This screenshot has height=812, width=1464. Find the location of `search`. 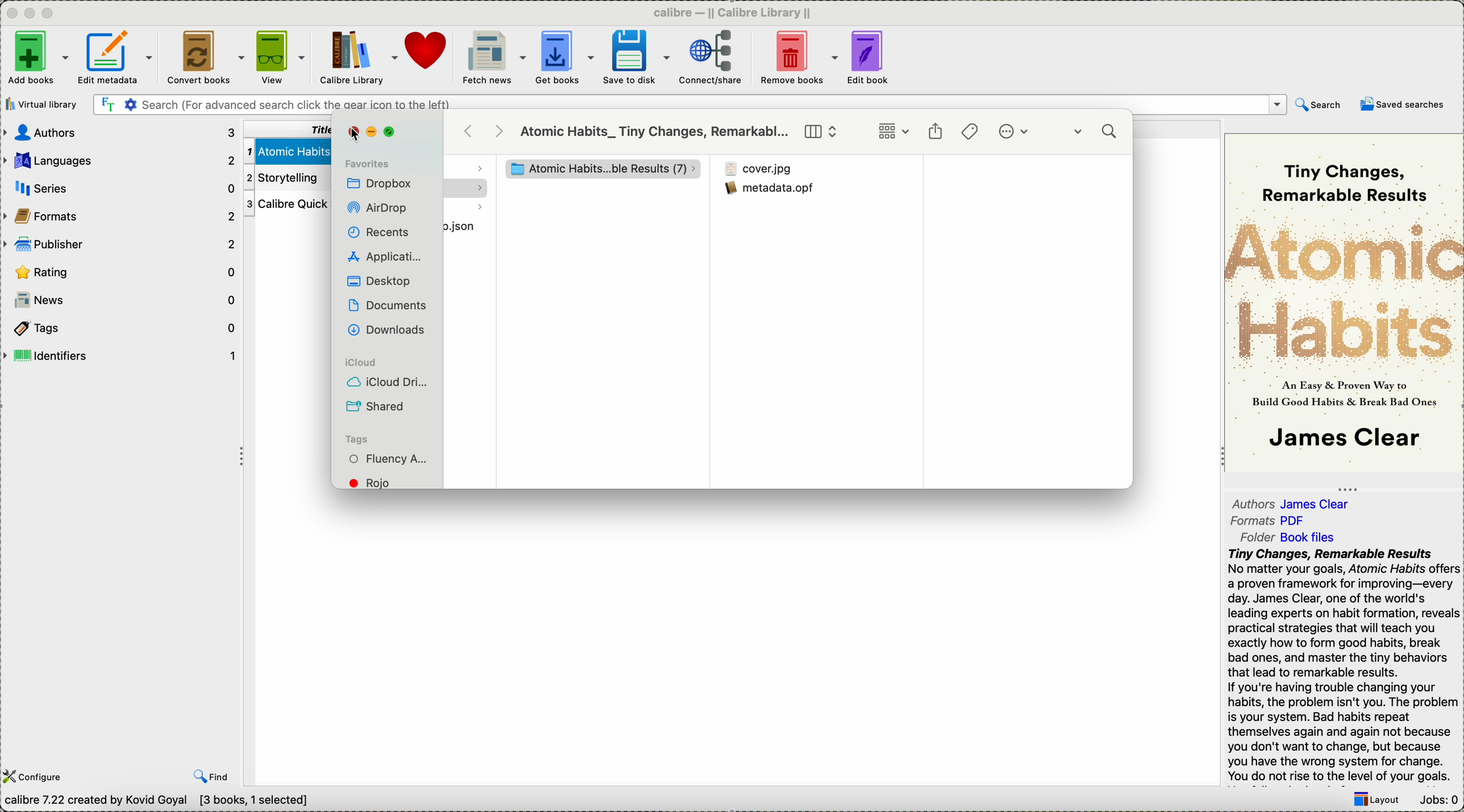

search is located at coordinates (1097, 134).